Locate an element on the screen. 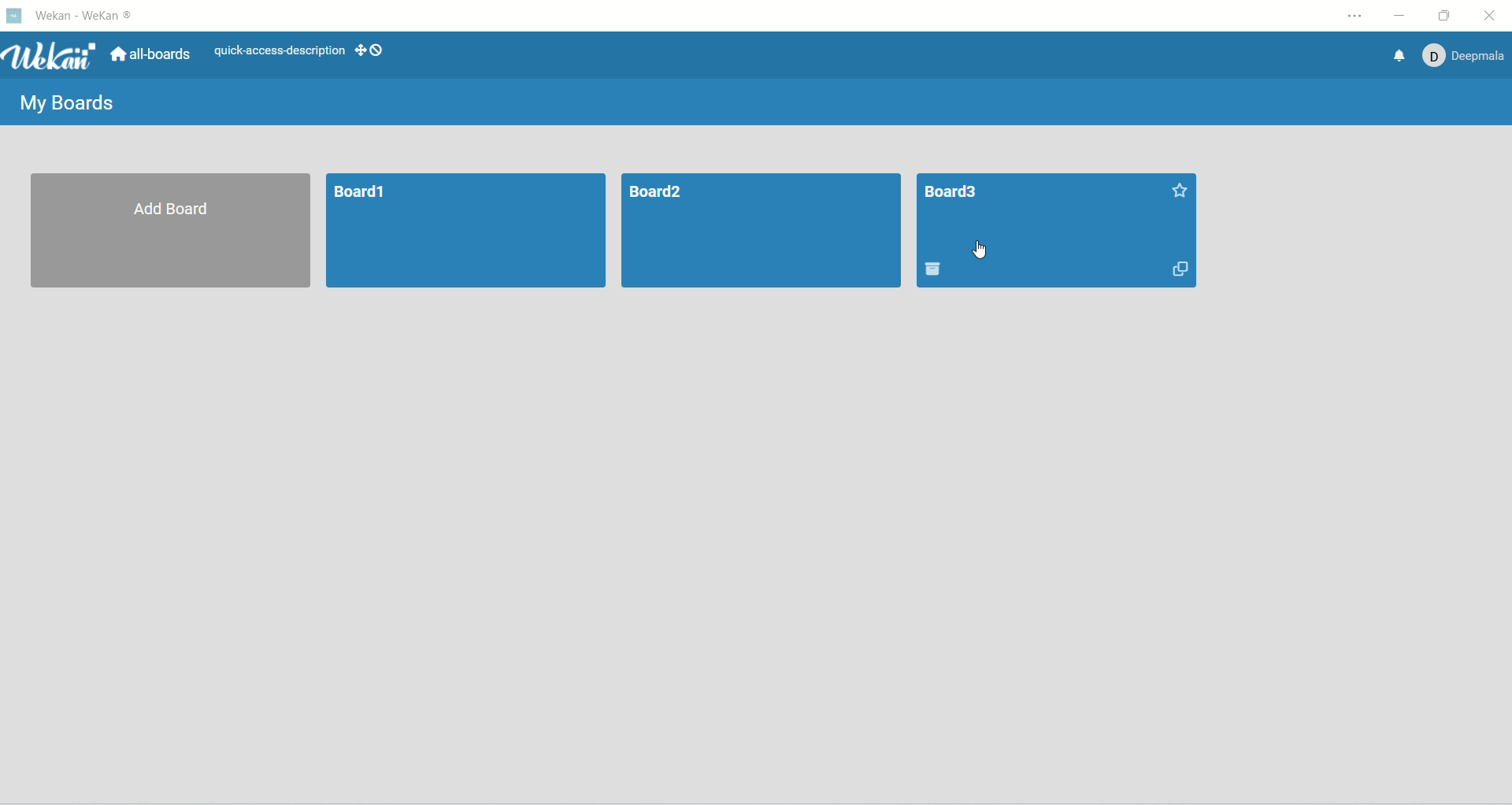  duplicate board is located at coordinates (1175, 272).